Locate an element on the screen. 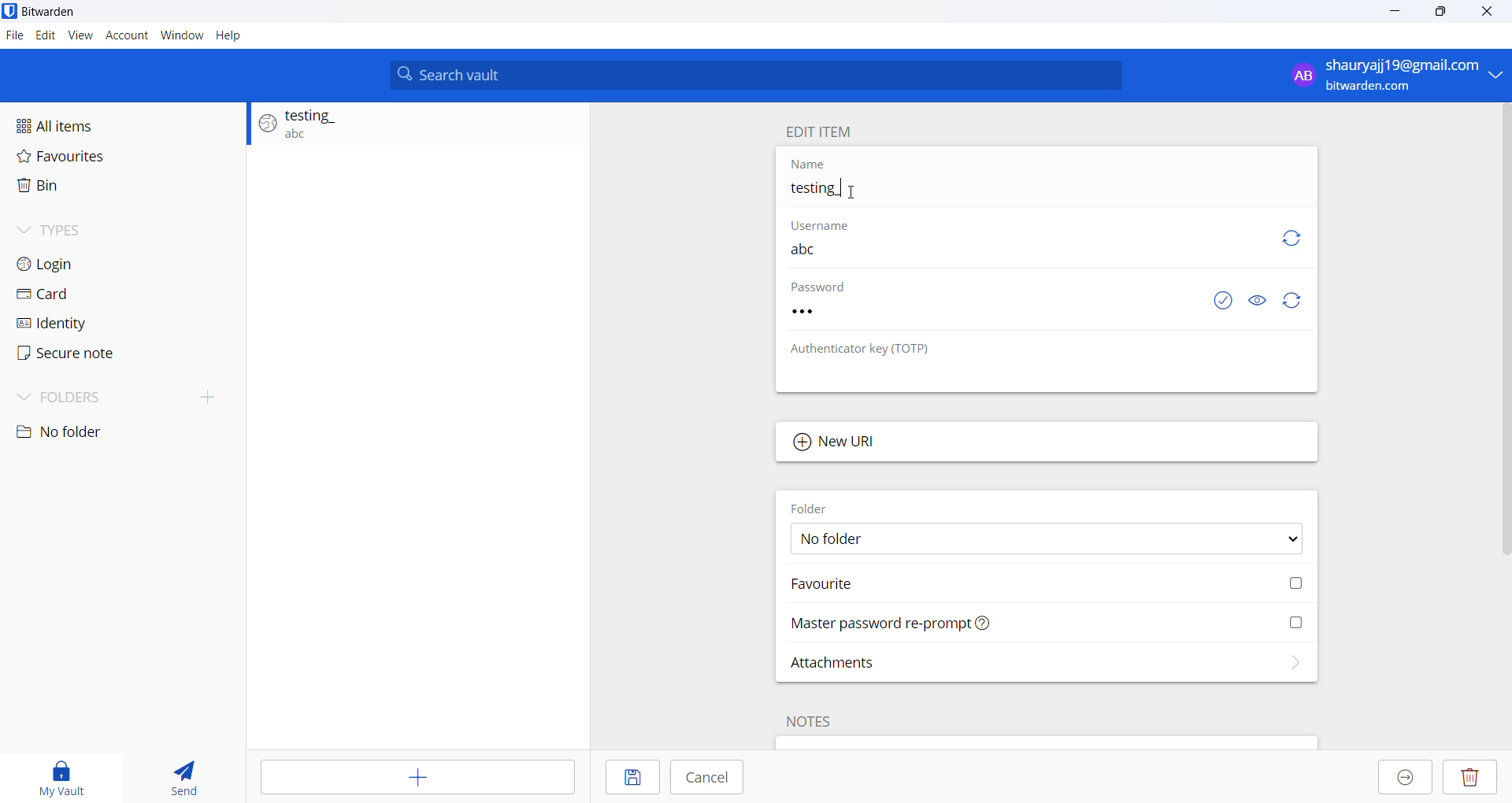 The height and width of the screenshot is (803, 1512). Folder heading is located at coordinates (828, 508).